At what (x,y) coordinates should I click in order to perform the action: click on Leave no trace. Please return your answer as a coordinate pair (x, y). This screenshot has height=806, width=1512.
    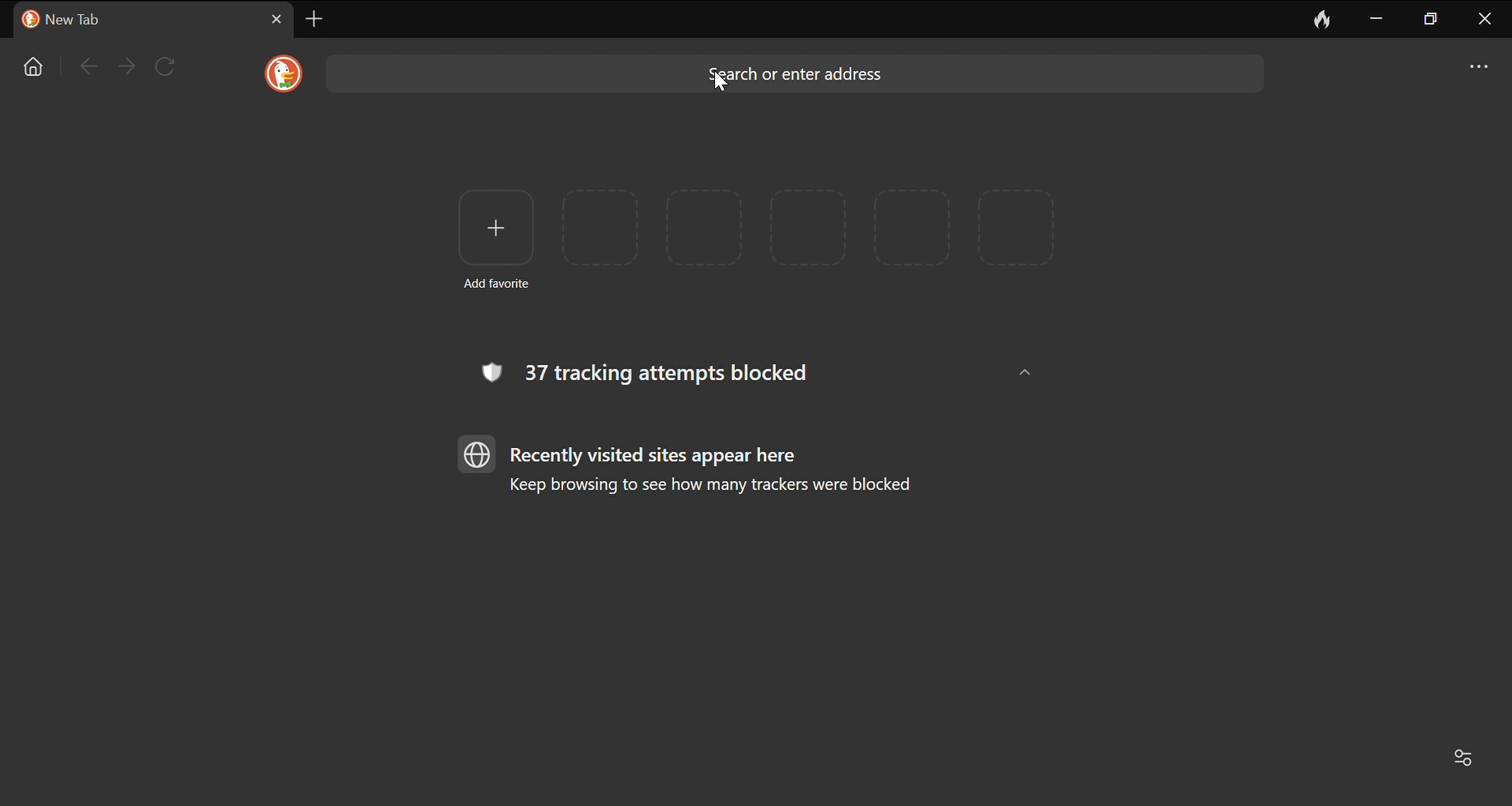
    Looking at the image, I should click on (1324, 18).